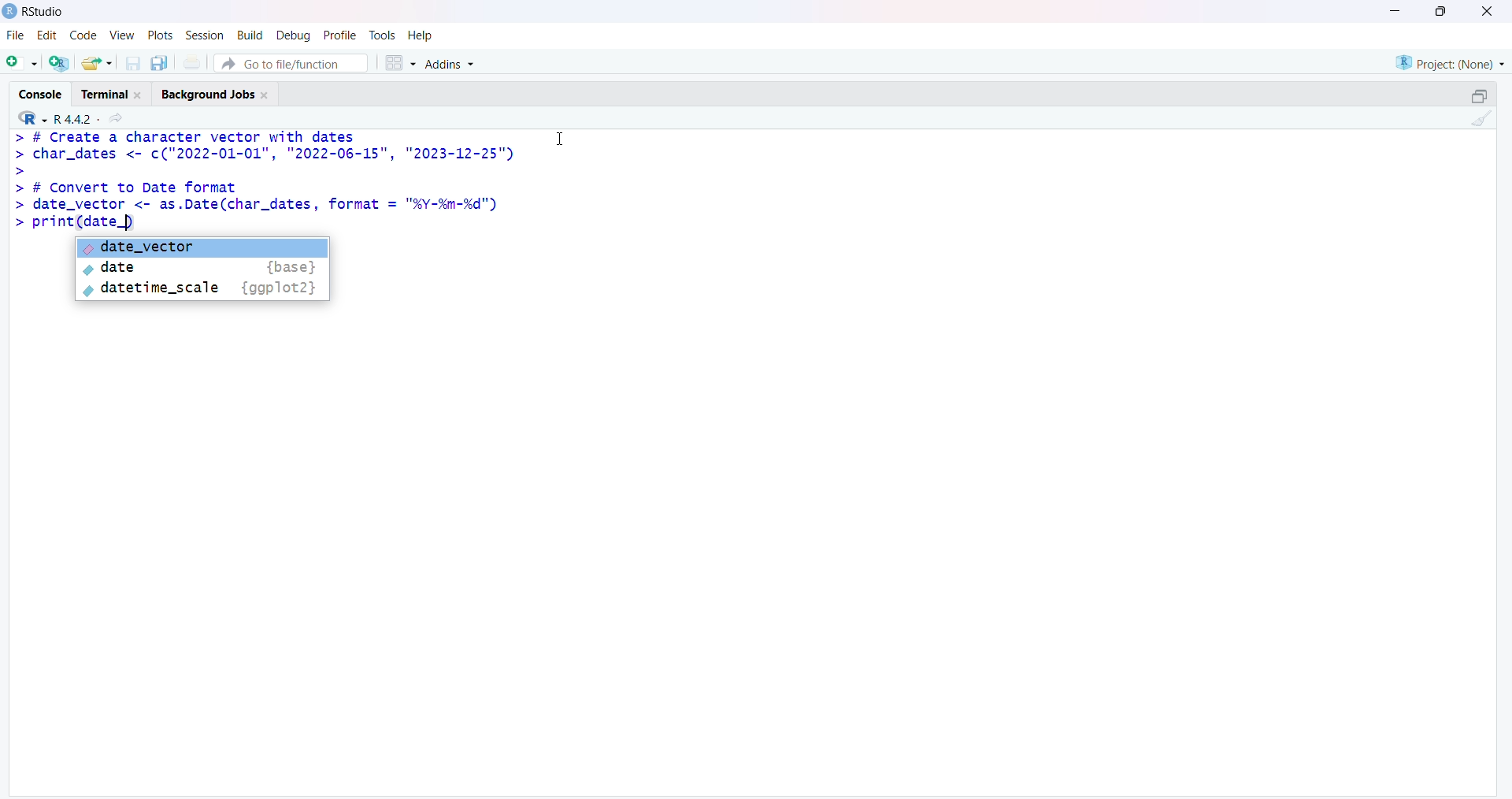 The image size is (1512, 799). Describe the element at coordinates (295, 61) in the screenshot. I see `Go to file/function` at that location.